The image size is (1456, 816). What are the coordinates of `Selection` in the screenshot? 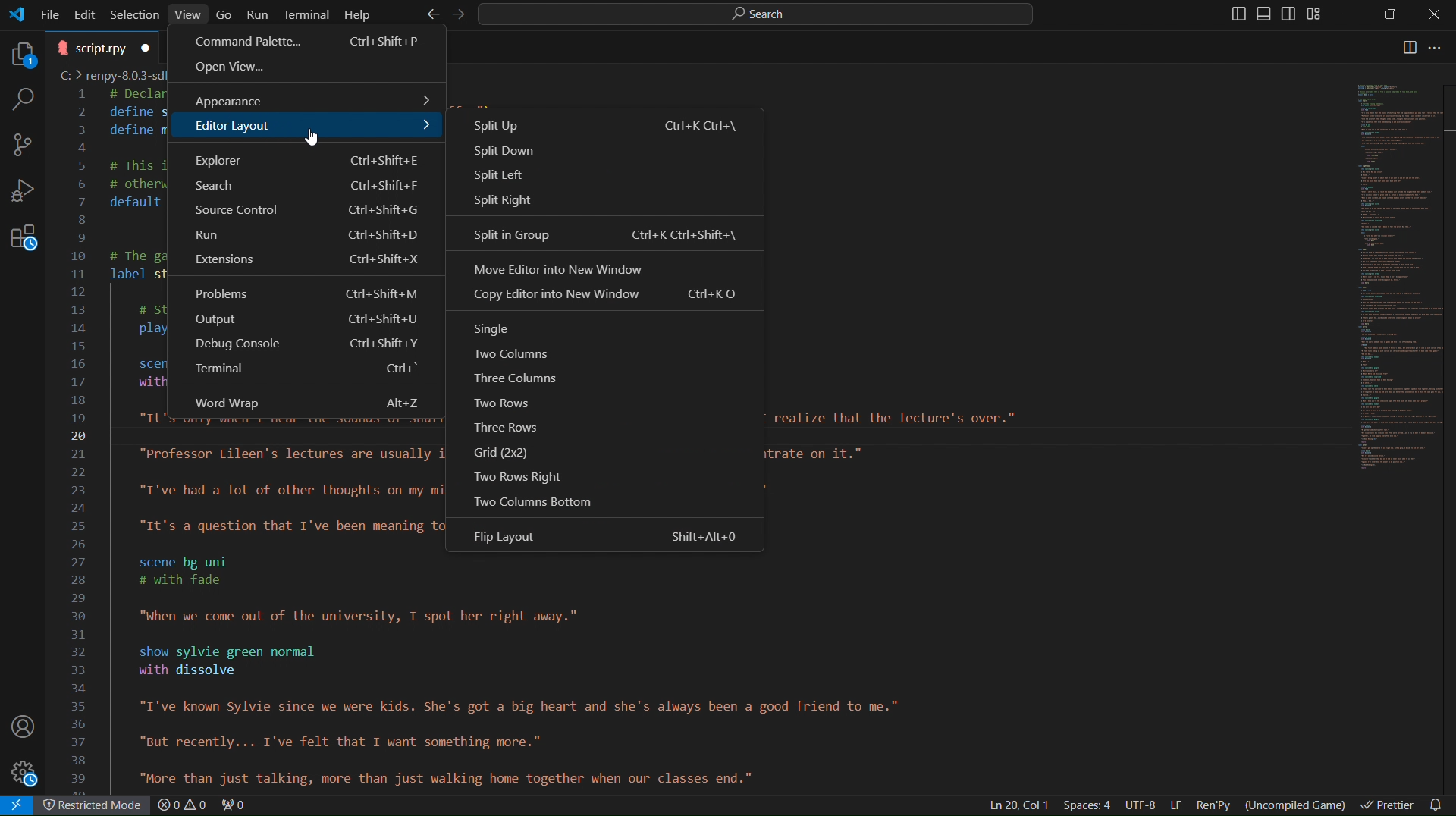 It's located at (135, 14).